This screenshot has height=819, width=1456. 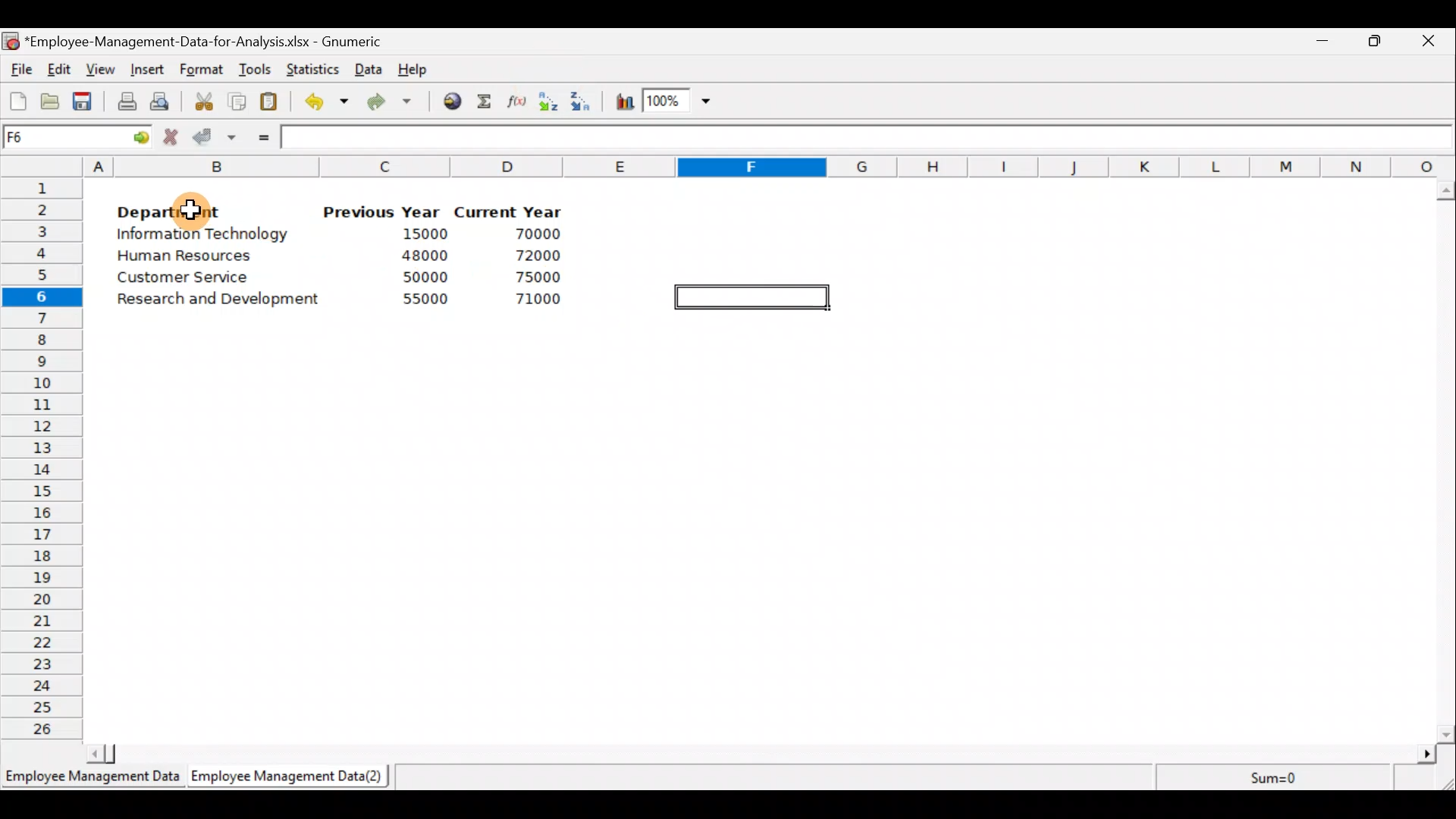 I want to click on 48000, so click(x=424, y=256).